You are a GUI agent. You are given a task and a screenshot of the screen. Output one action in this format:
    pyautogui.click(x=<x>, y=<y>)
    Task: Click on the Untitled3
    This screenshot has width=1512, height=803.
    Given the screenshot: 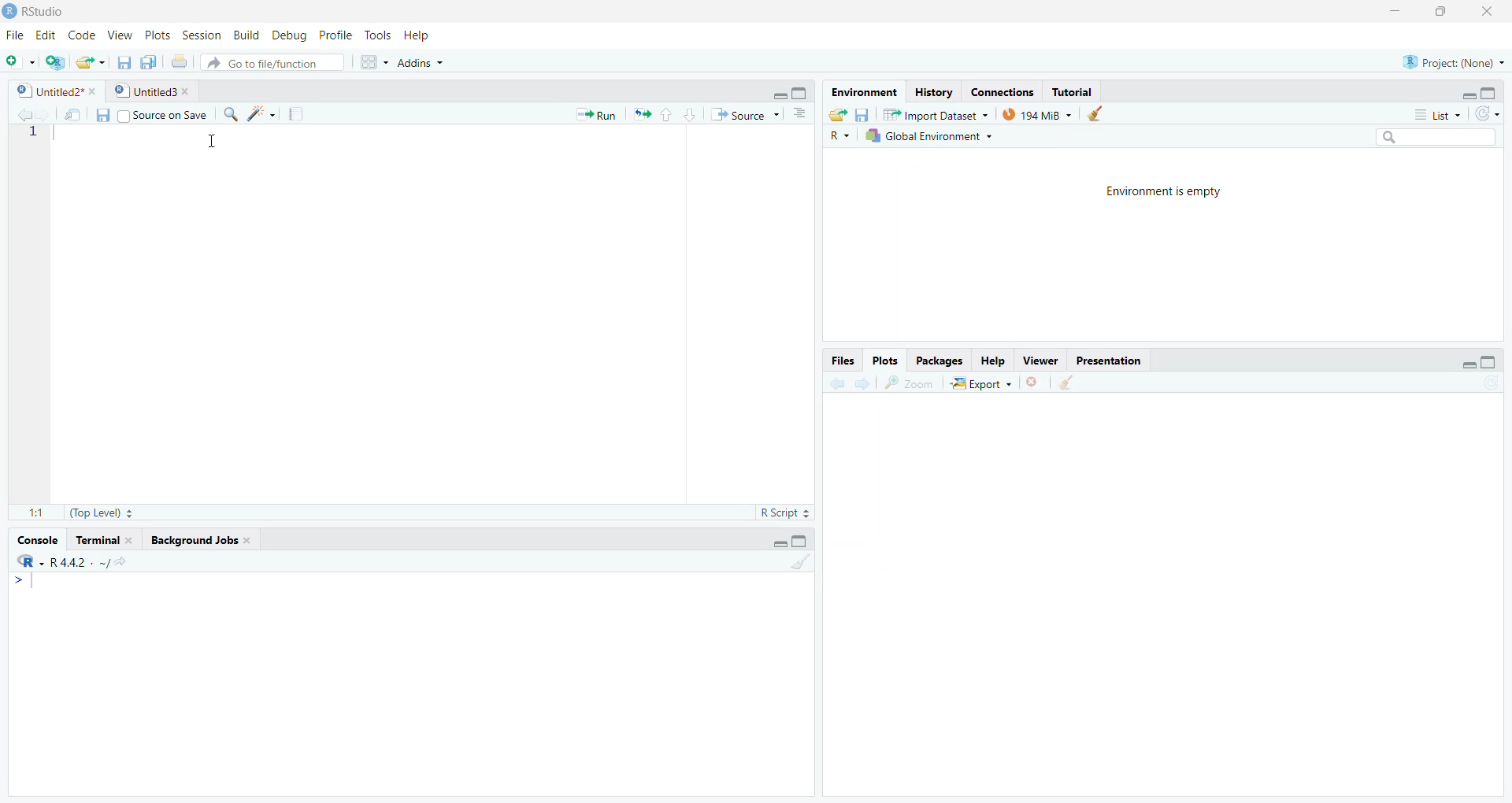 What is the action you would take?
    pyautogui.click(x=155, y=92)
    